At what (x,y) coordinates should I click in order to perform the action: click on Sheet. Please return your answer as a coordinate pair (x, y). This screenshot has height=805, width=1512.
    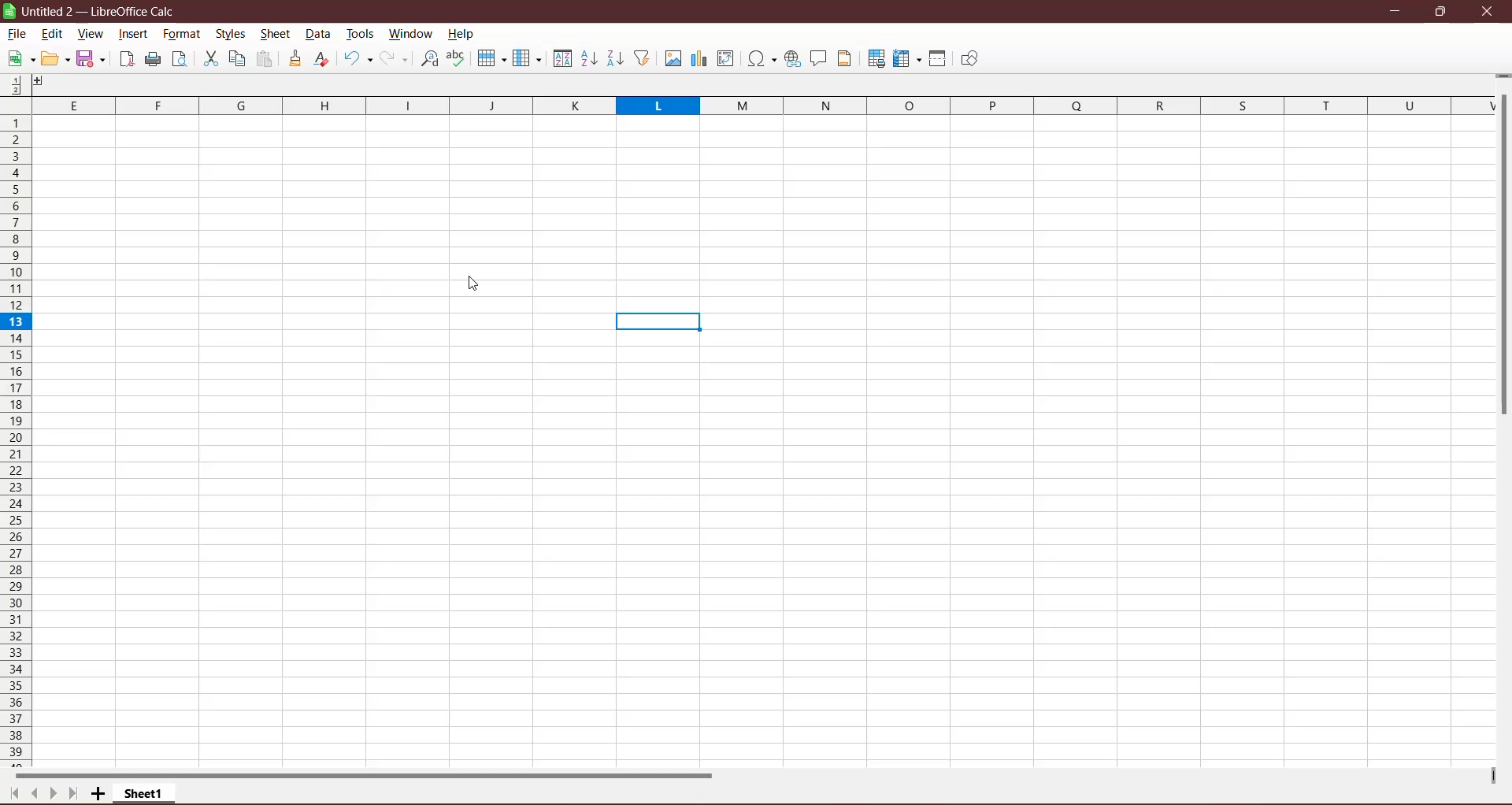
    Looking at the image, I should click on (276, 35).